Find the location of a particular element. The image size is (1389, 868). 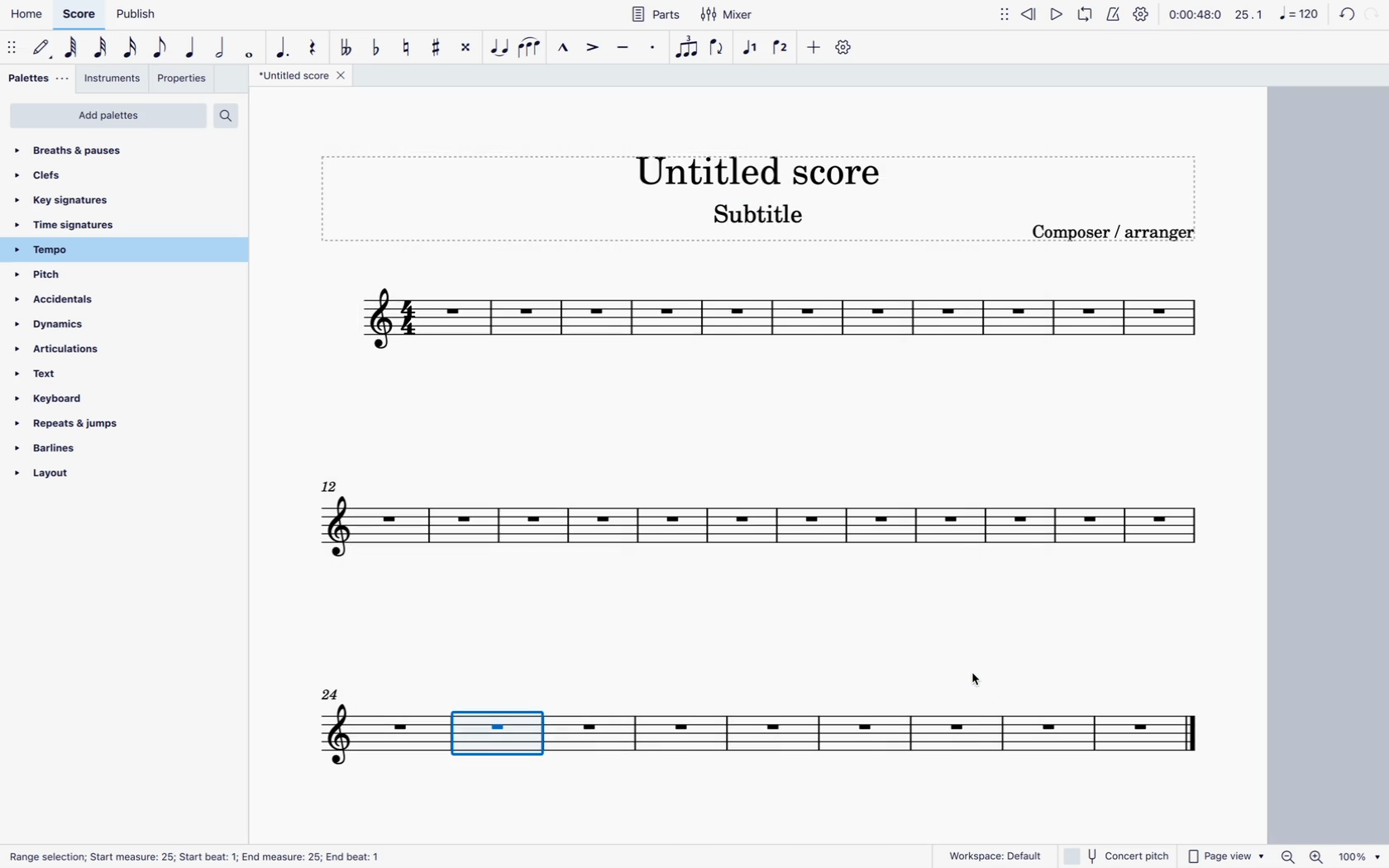

flip direction is located at coordinates (716, 47).